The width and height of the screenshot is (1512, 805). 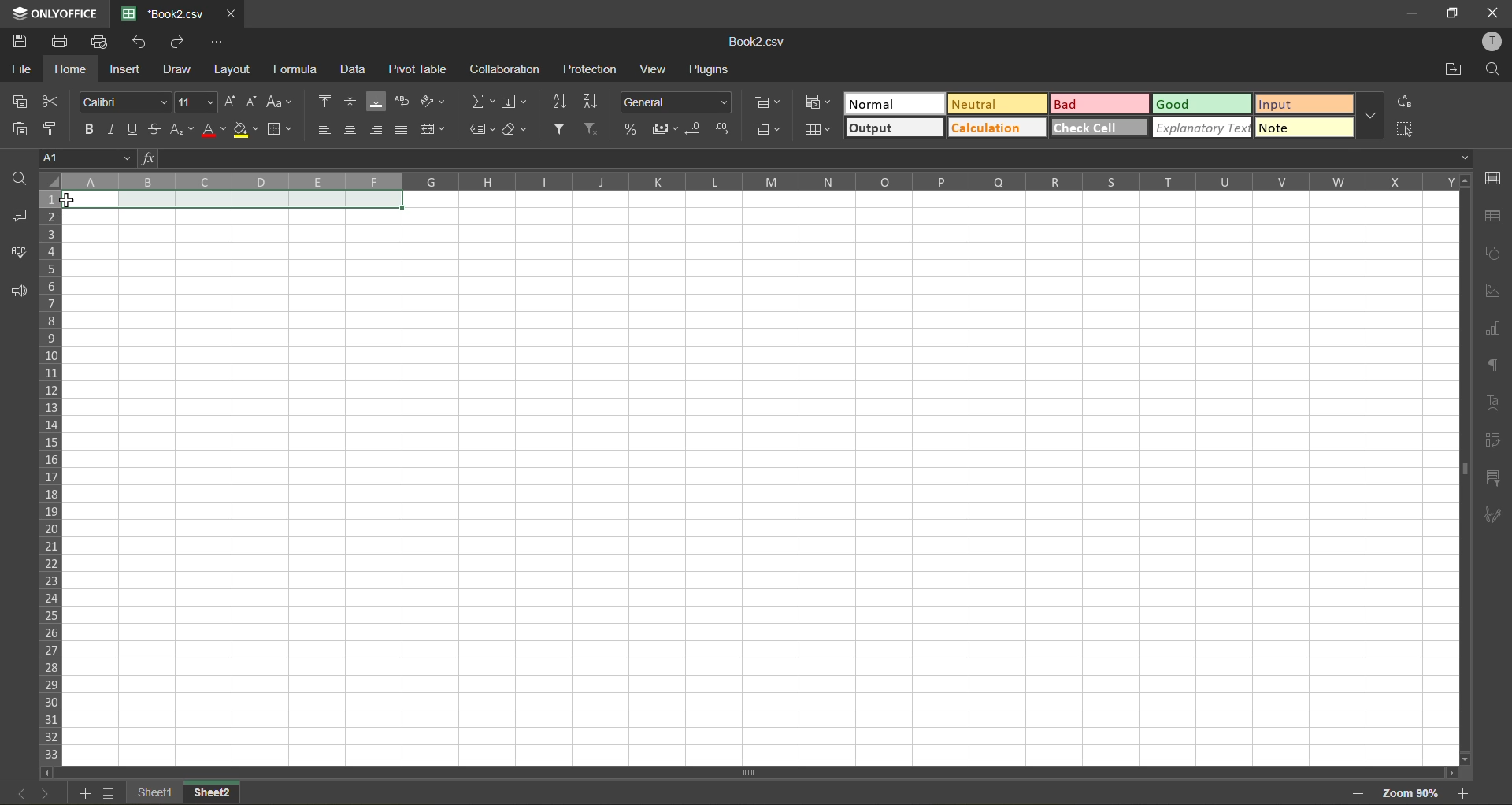 I want to click on underline, so click(x=133, y=131).